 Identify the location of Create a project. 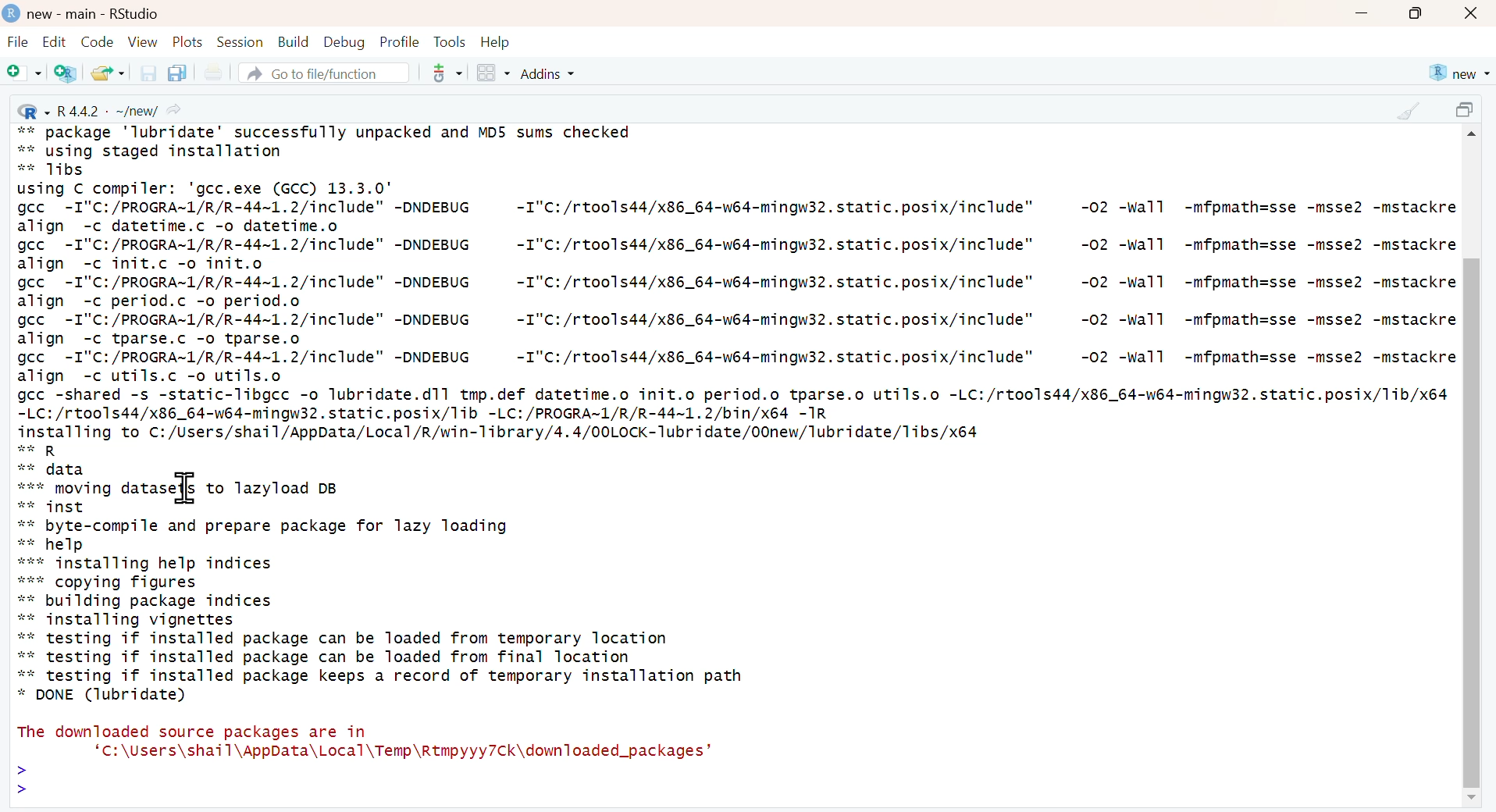
(67, 73).